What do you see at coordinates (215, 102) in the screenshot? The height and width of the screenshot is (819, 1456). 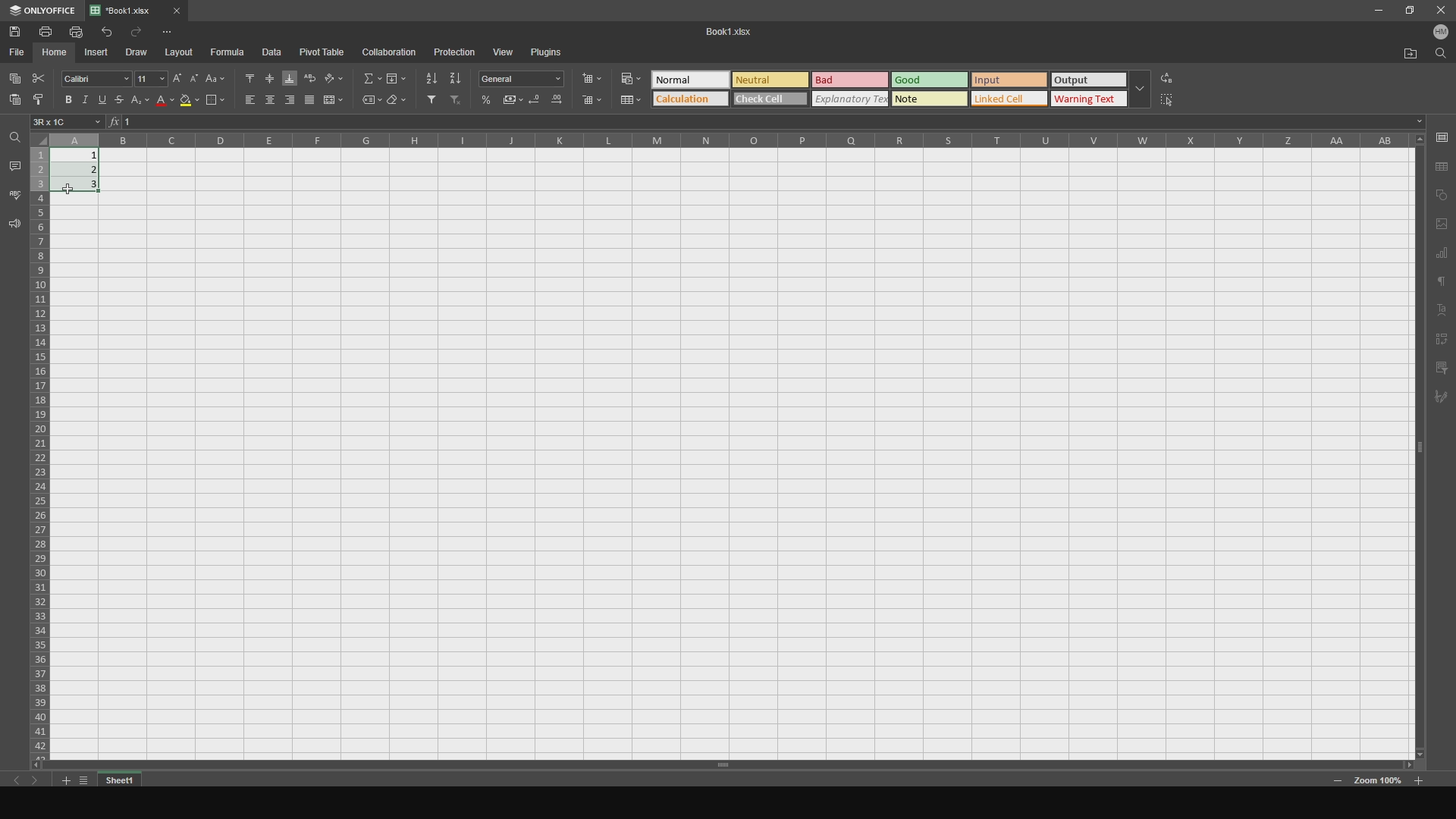 I see `borders` at bounding box center [215, 102].